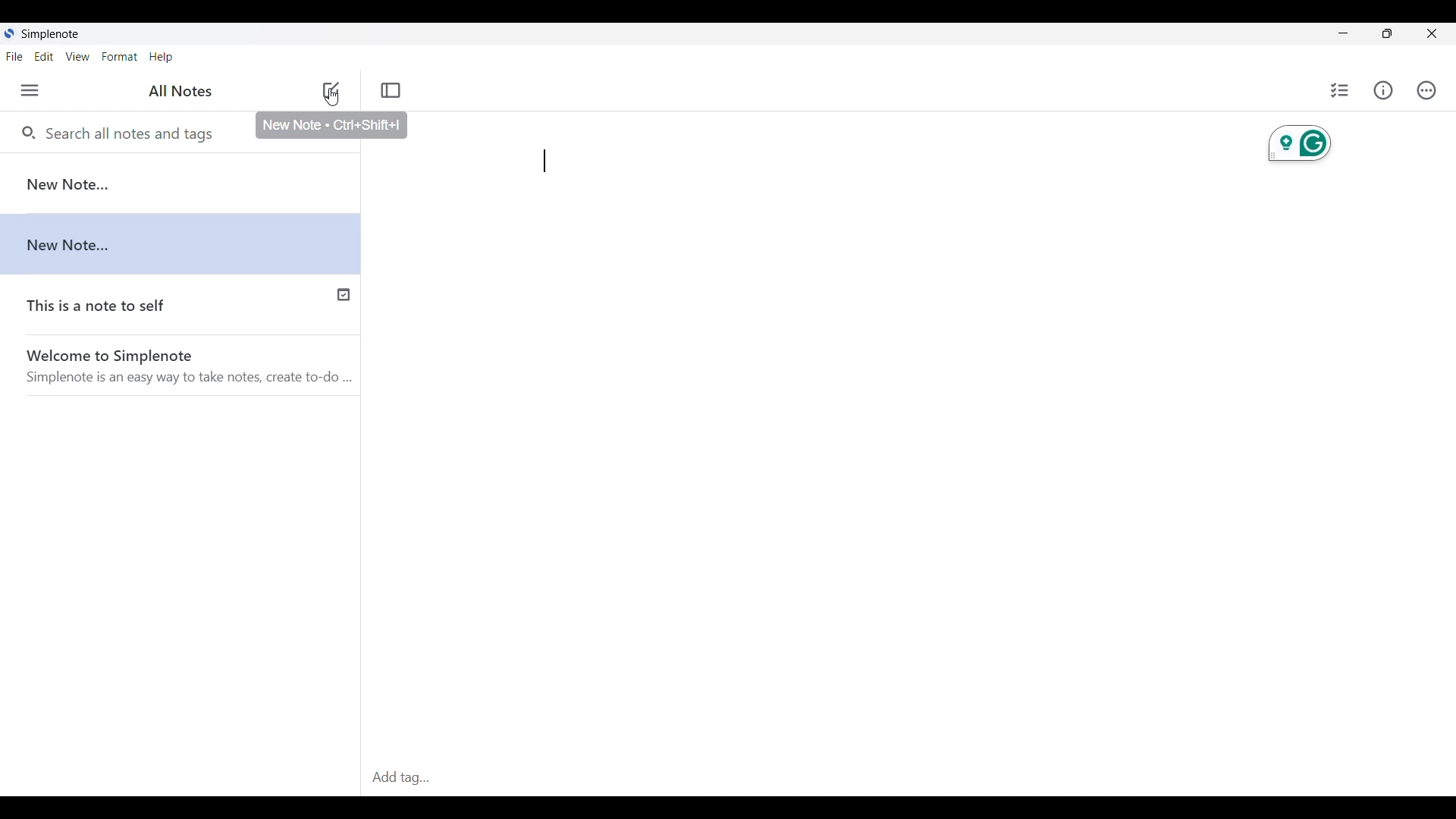  What do you see at coordinates (178, 92) in the screenshot?
I see `All Notes` at bounding box center [178, 92].